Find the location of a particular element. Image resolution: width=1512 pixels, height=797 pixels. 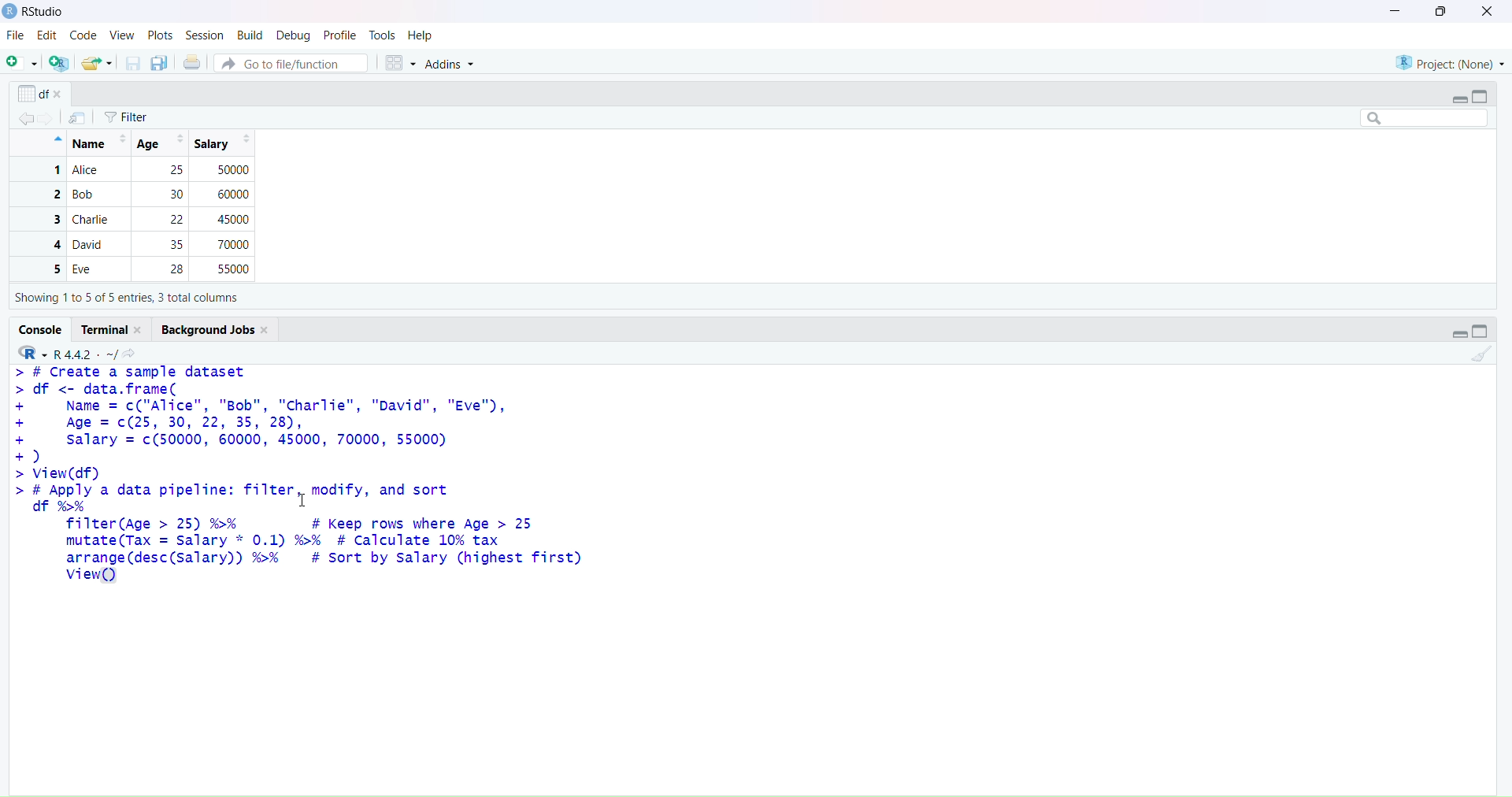

close is located at coordinates (1486, 13).